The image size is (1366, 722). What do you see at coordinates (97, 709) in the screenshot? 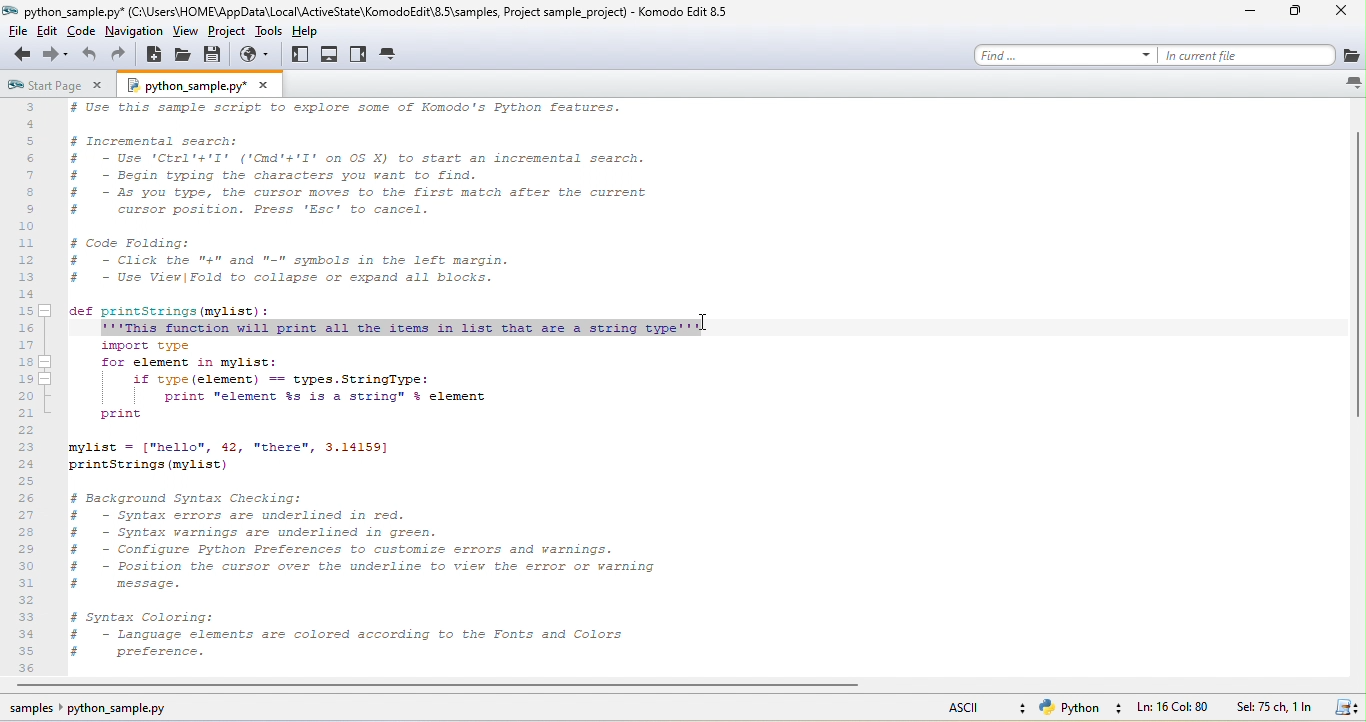
I see `sample python sample py` at bounding box center [97, 709].